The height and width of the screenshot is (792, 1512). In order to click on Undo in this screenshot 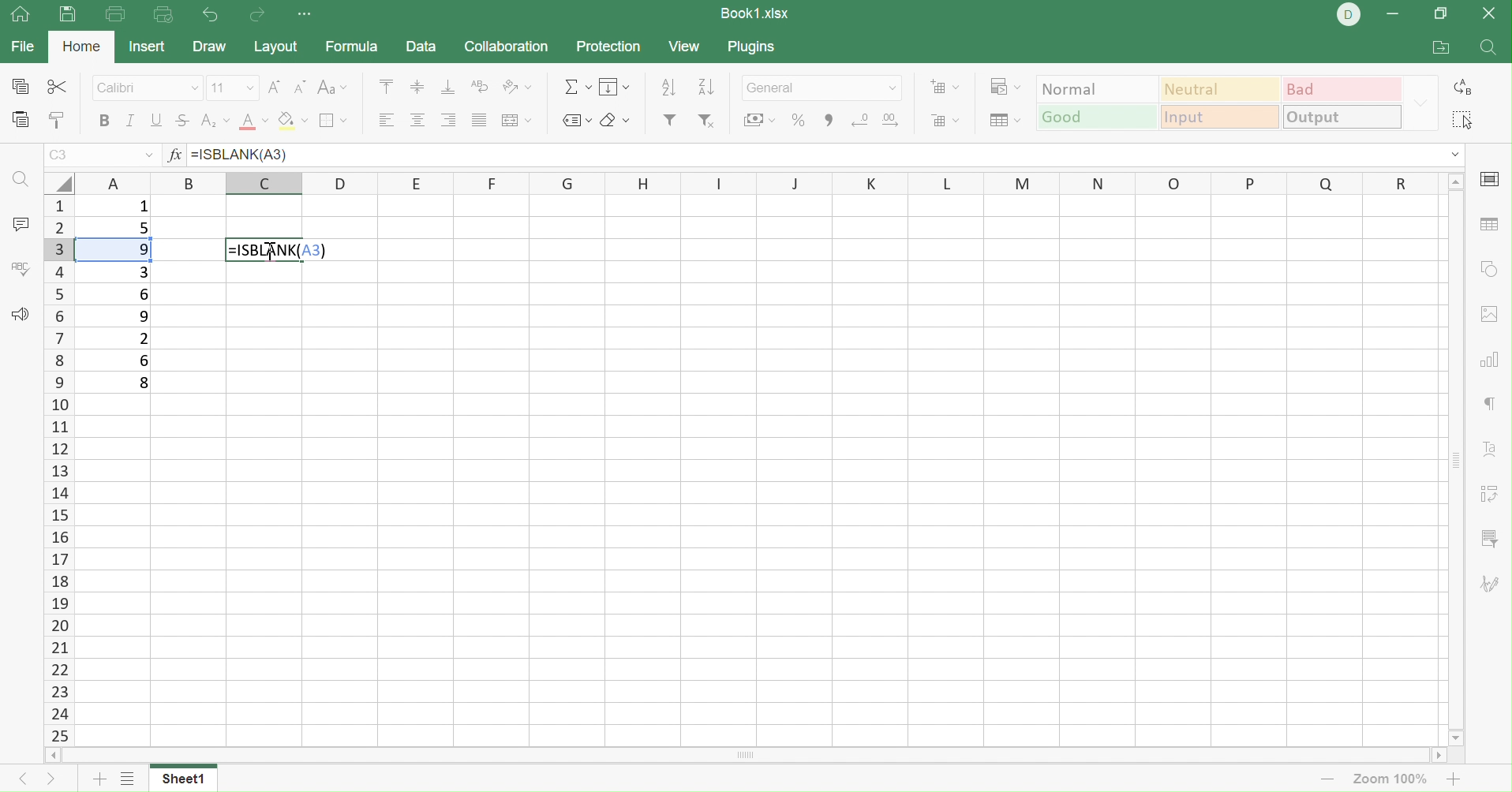, I will do `click(210, 13)`.